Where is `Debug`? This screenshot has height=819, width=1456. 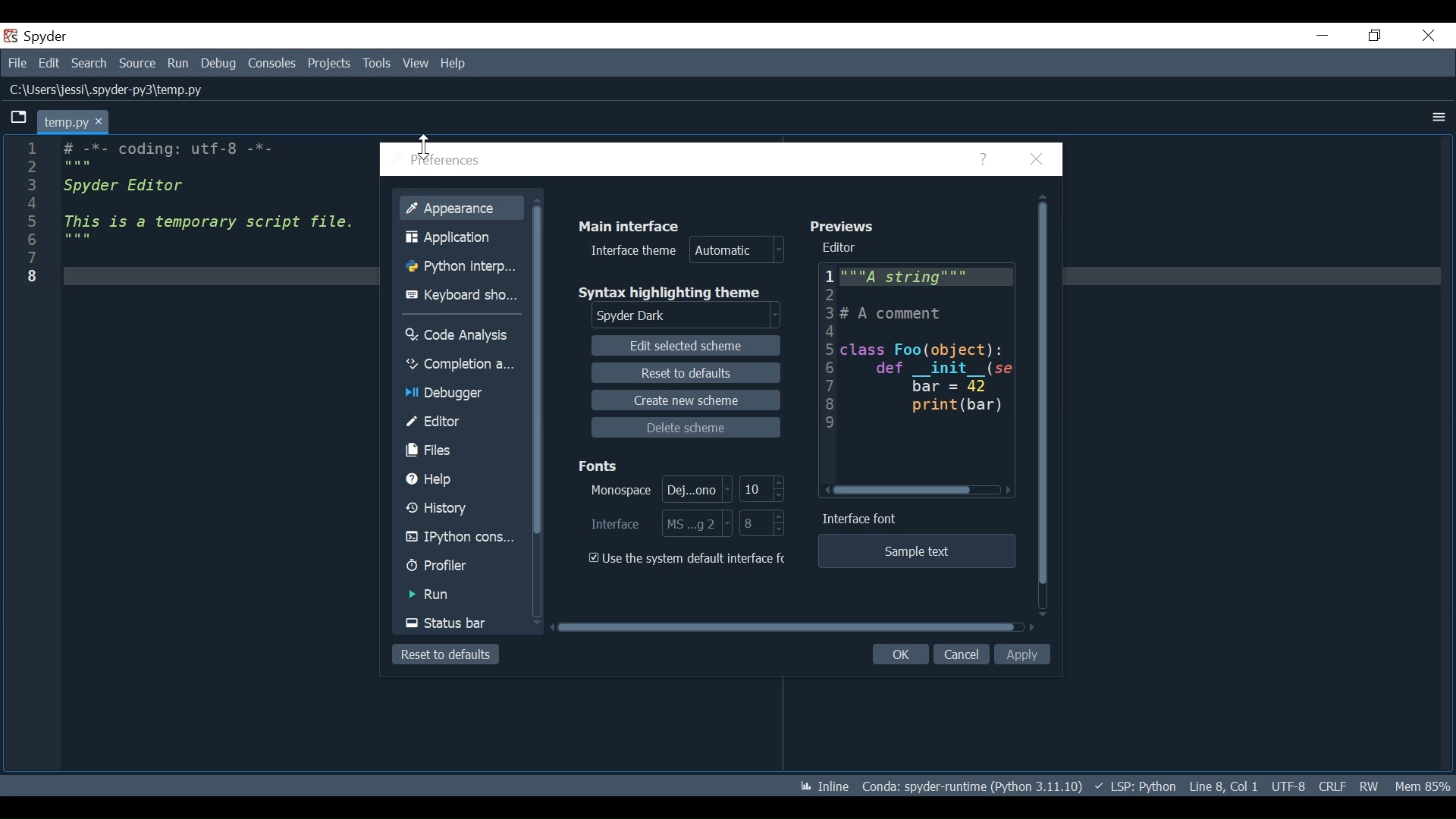
Debug is located at coordinates (220, 65).